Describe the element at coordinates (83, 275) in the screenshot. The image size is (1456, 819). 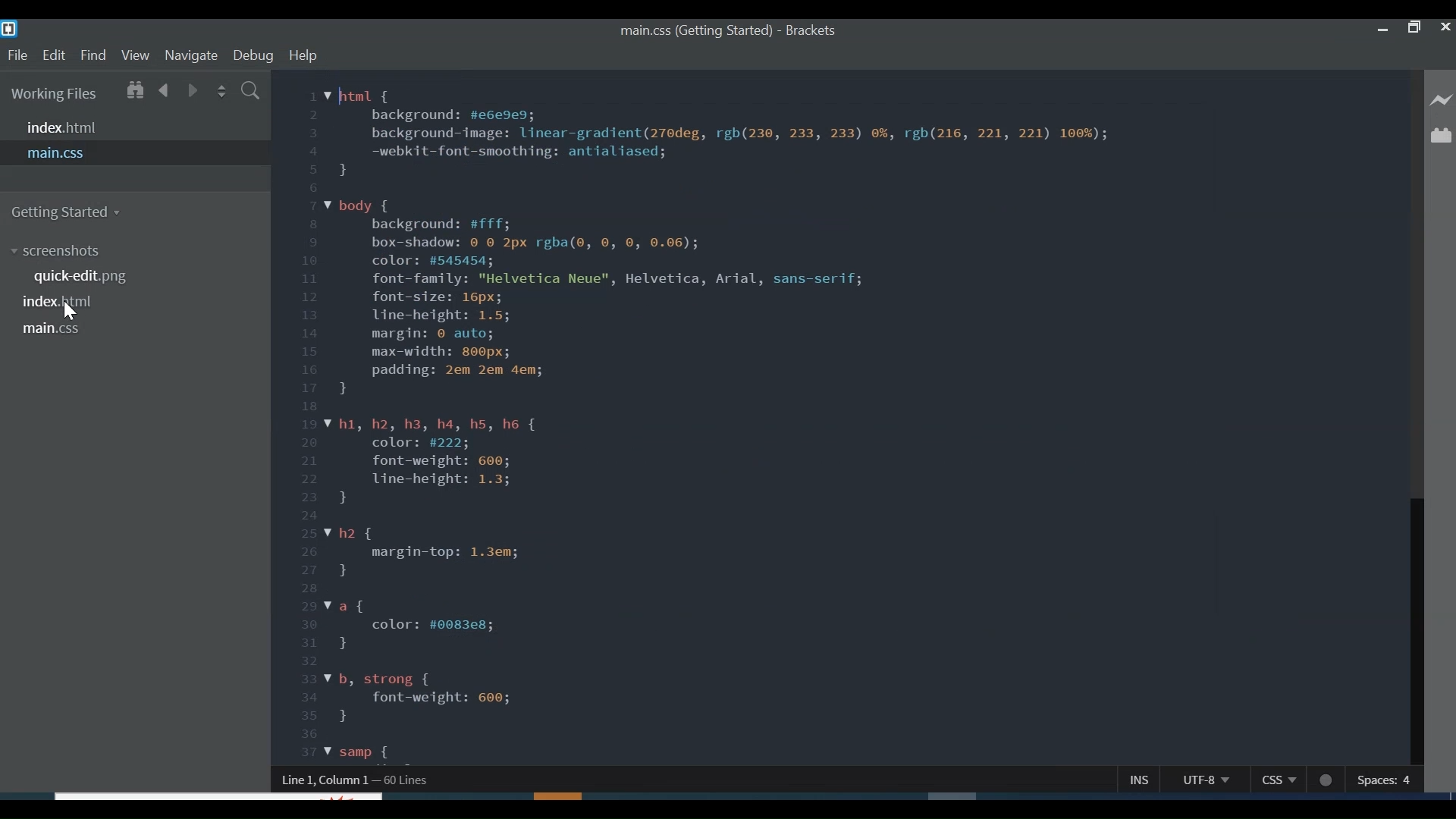
I see `quick-edit.png file` at that location.